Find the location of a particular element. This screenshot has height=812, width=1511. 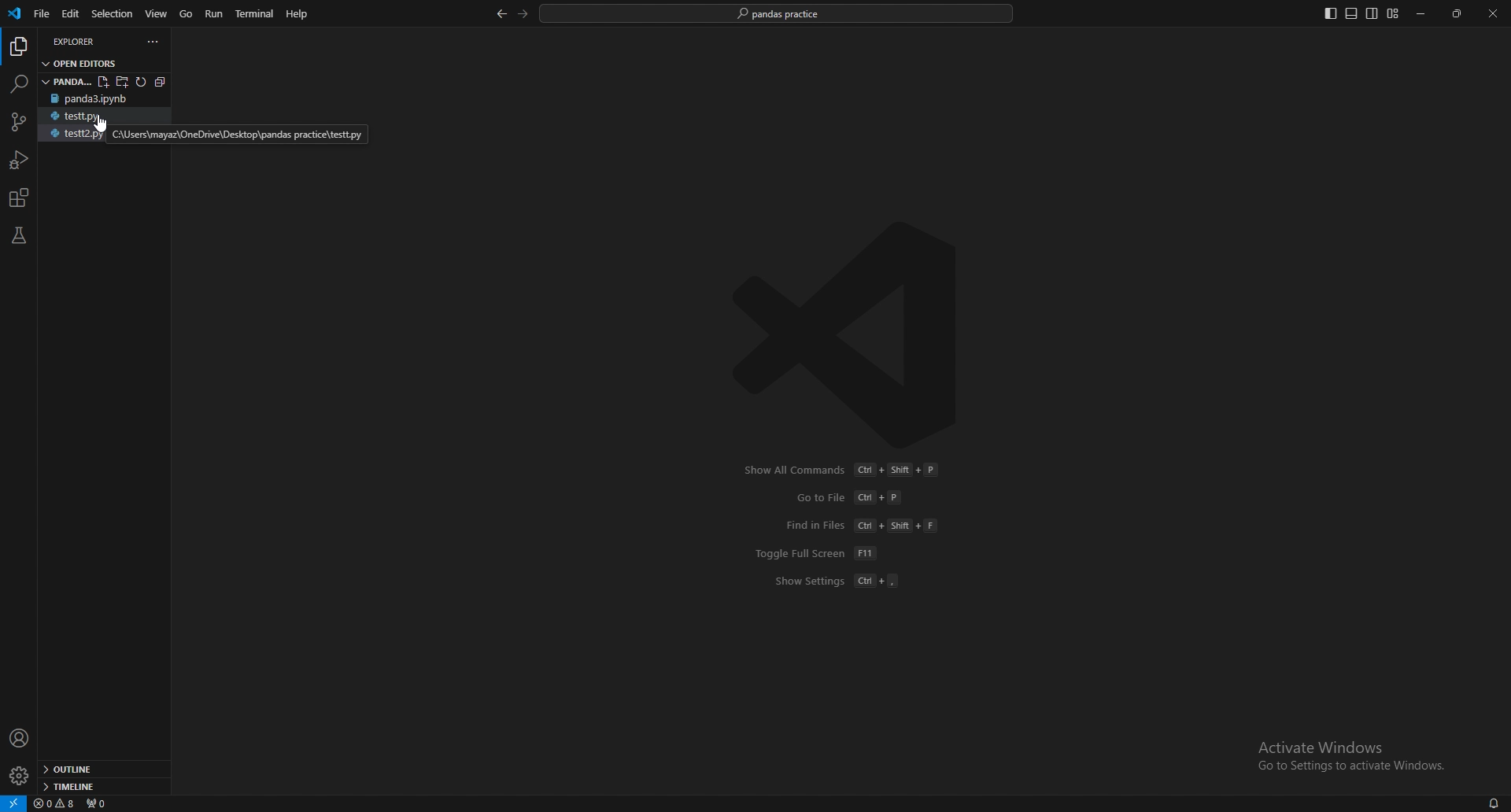

panda3.ipynb is located at coordinates (99, 98).